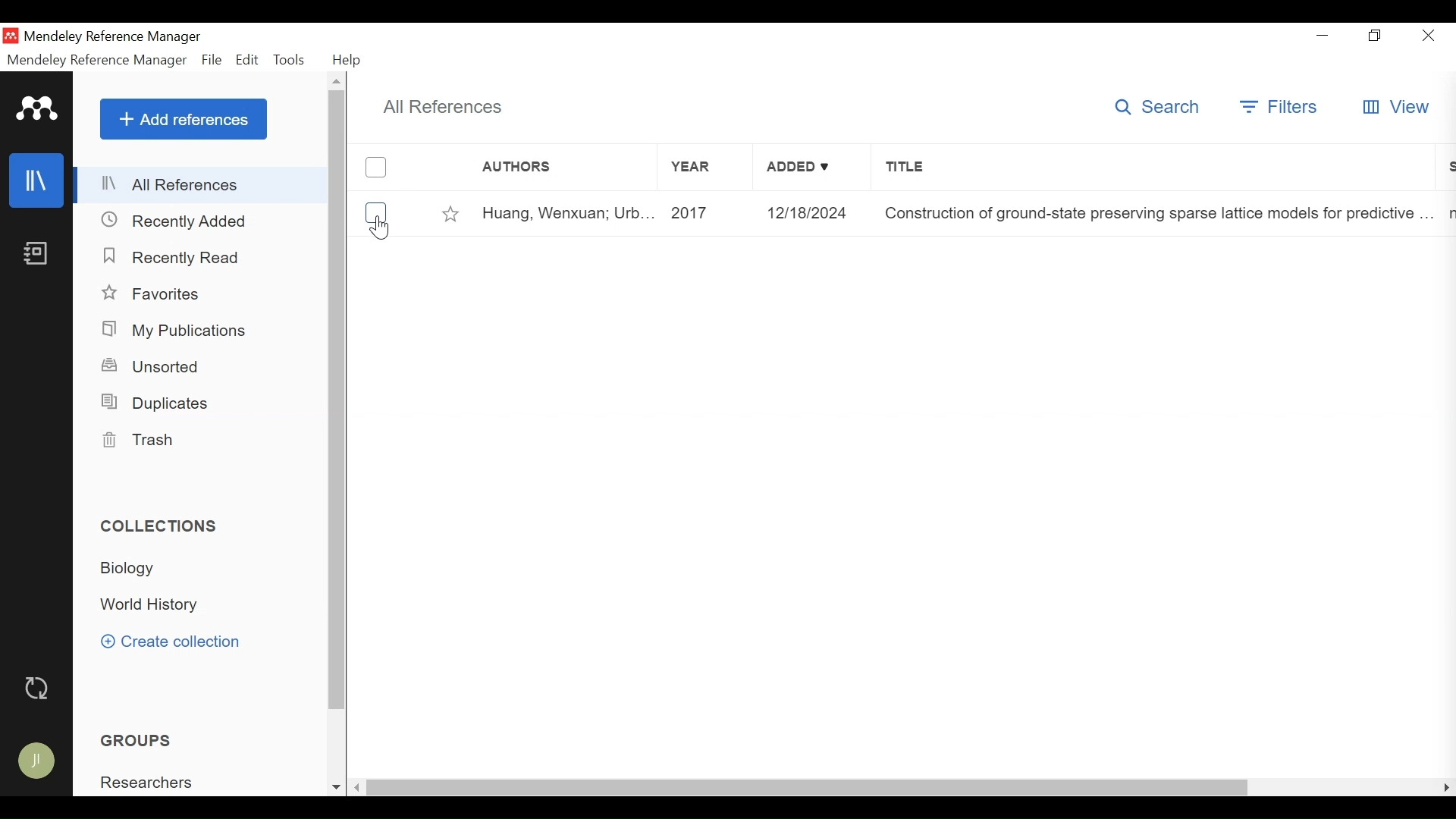 The height and width of the screenshot is (819, 1456). Describe the element at coordinates (379, 227) in the screenshot. I see `Cursor` at that location.